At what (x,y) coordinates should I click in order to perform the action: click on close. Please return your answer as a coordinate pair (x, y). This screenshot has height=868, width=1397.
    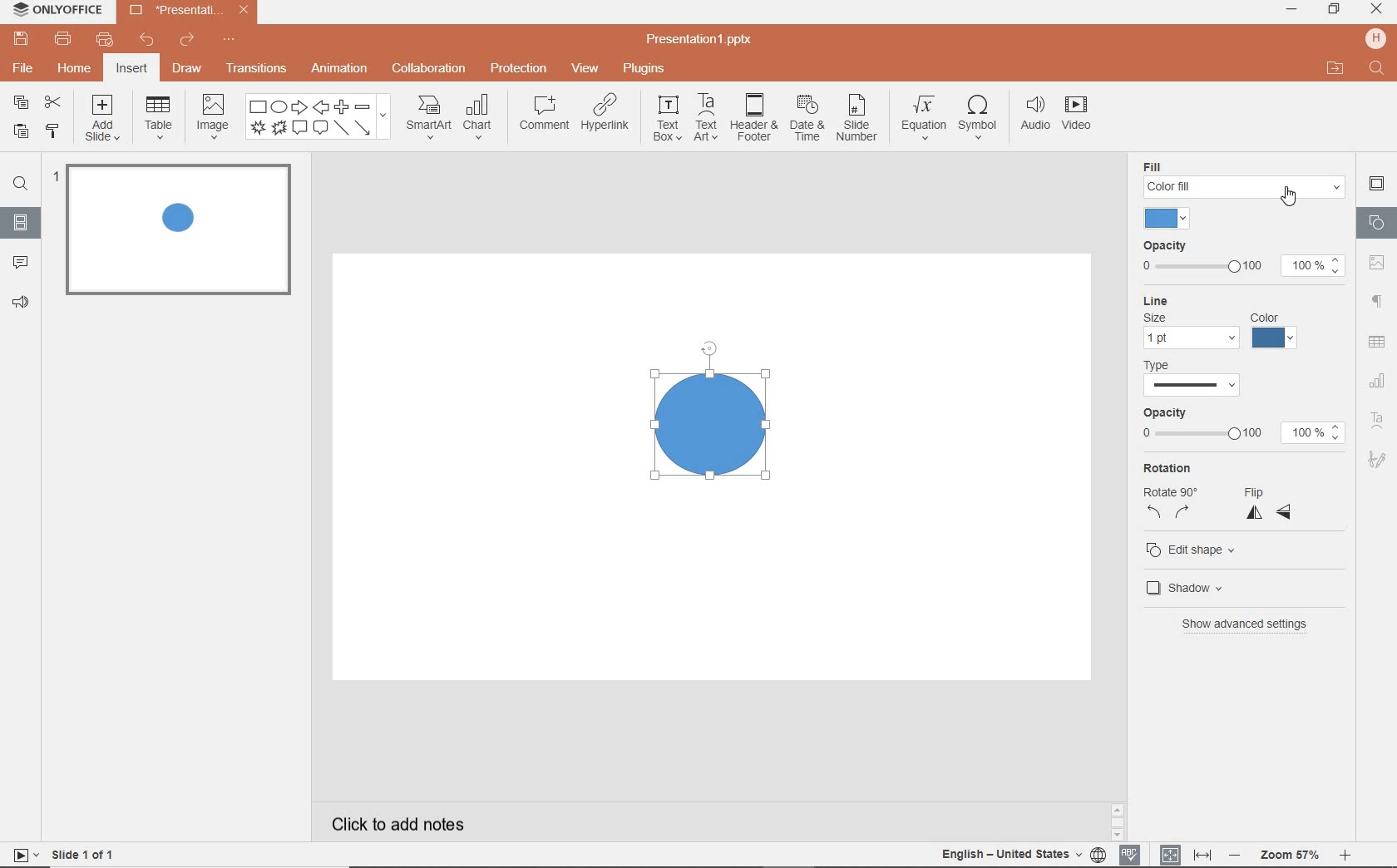
    Looking at the image, I should click on (1376, 11).